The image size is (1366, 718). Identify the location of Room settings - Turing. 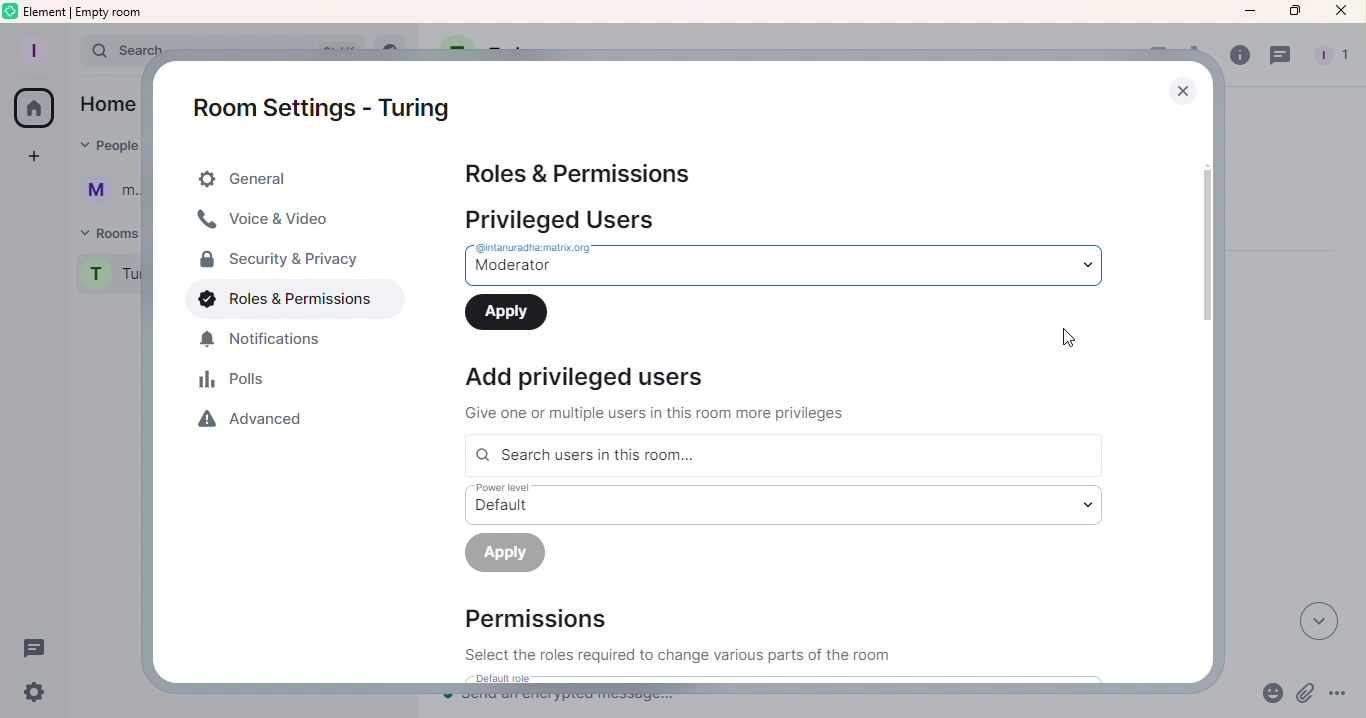
(322, 102).